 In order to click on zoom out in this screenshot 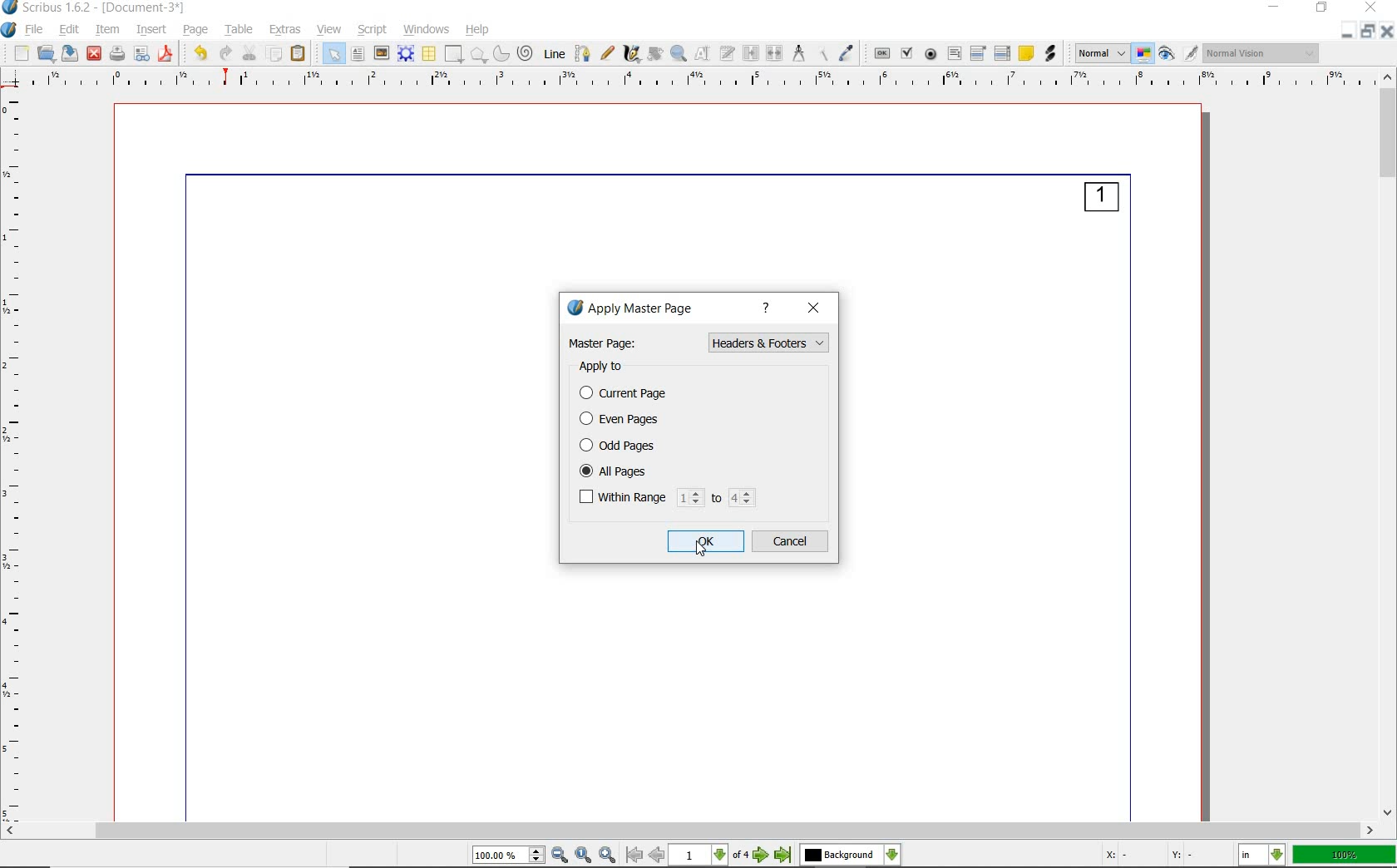, I will do `click(560, 856)`.